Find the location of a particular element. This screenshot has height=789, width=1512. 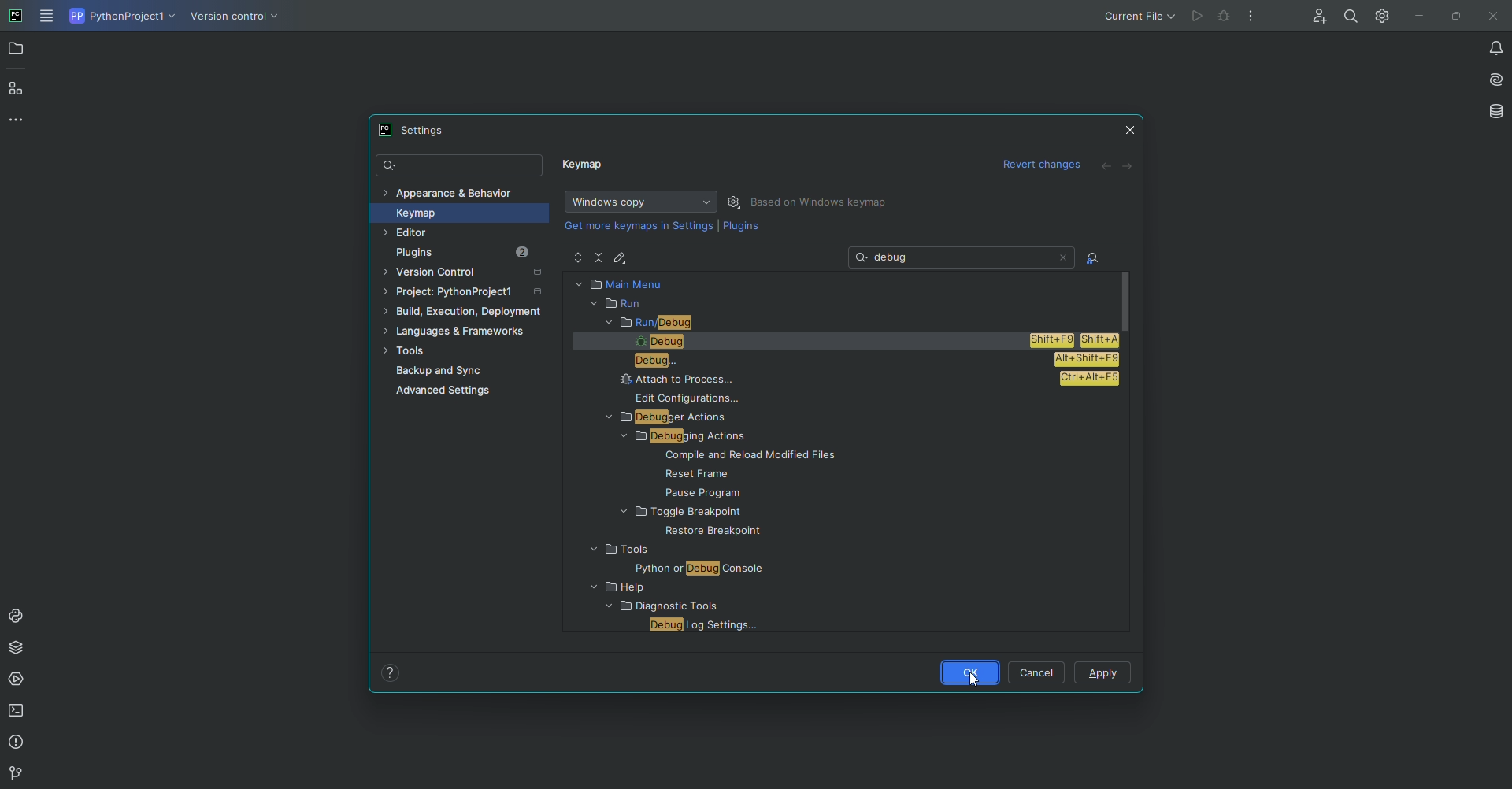

More Tools is located at coordinates (20, 119).